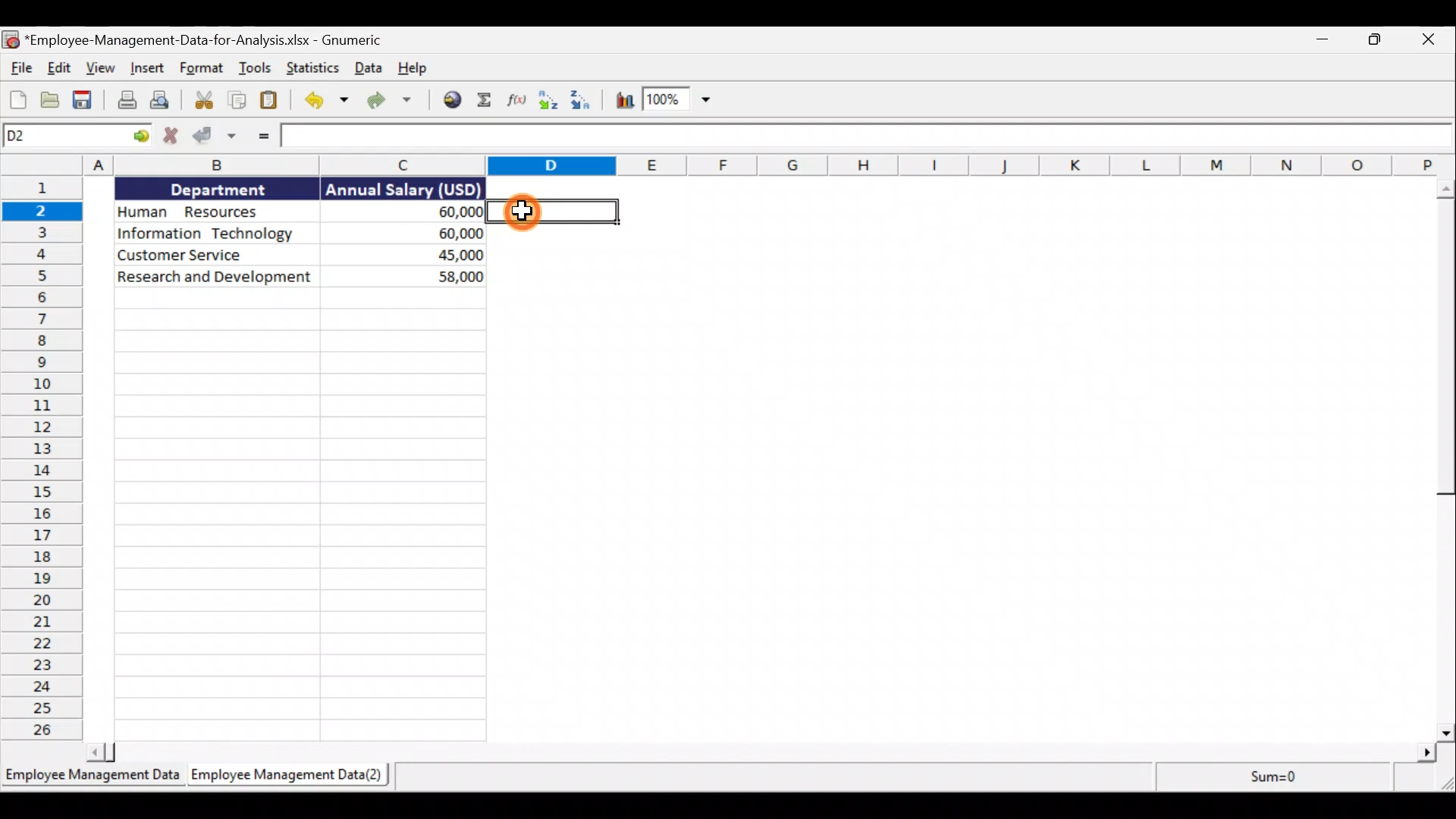 This screenshot has height=819, width=1456. I want to click on File, so click(18, 68).